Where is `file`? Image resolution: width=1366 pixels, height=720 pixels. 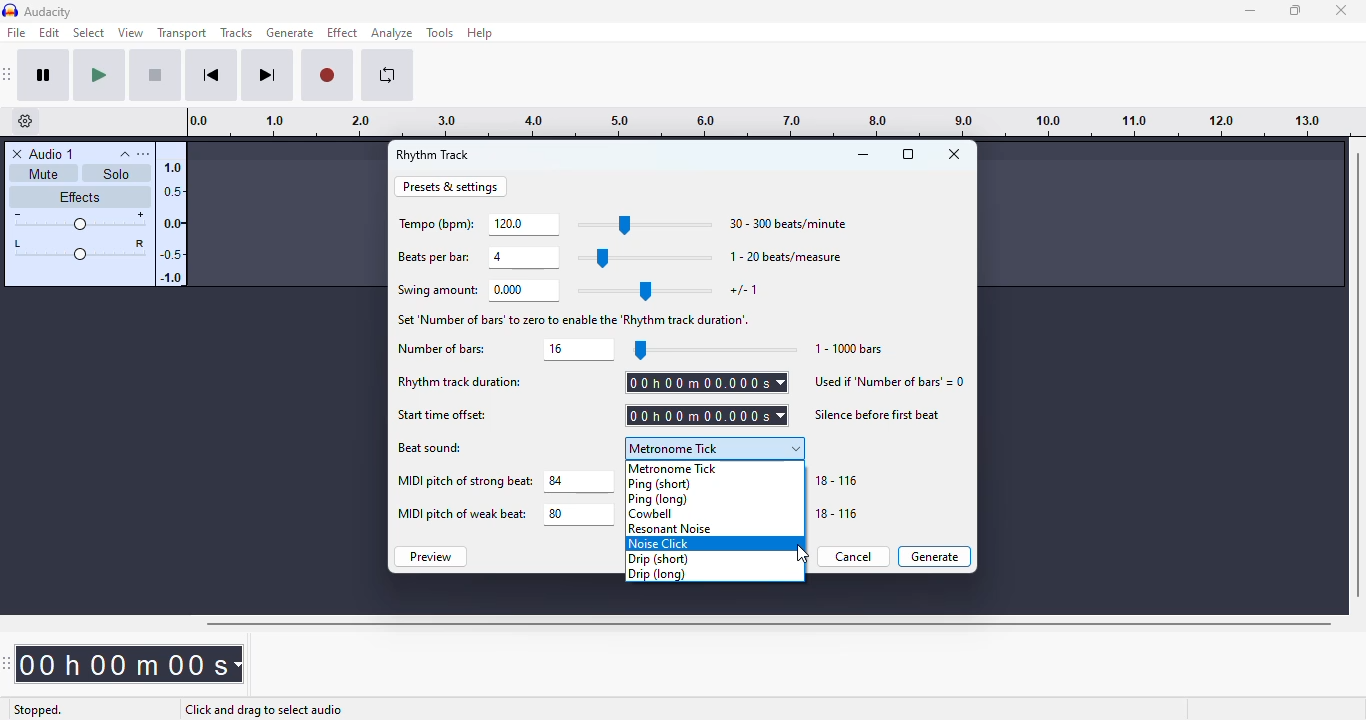
file is located at coordinates (16, 31).